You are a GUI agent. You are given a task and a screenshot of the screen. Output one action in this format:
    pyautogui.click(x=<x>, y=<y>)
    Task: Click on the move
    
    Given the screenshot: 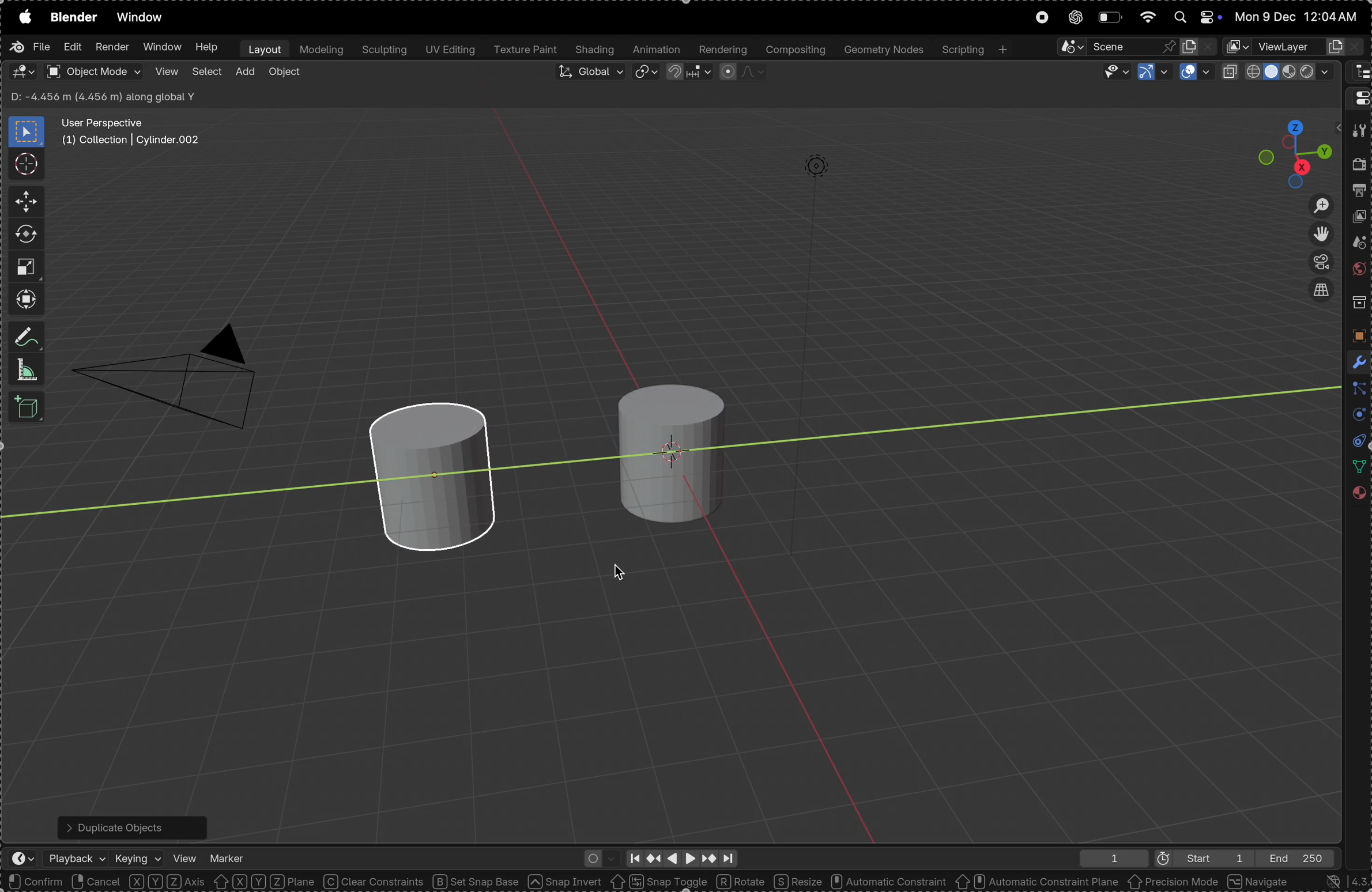 What is the action you would take?
    pyautogui.click(x=22, y=202)
    